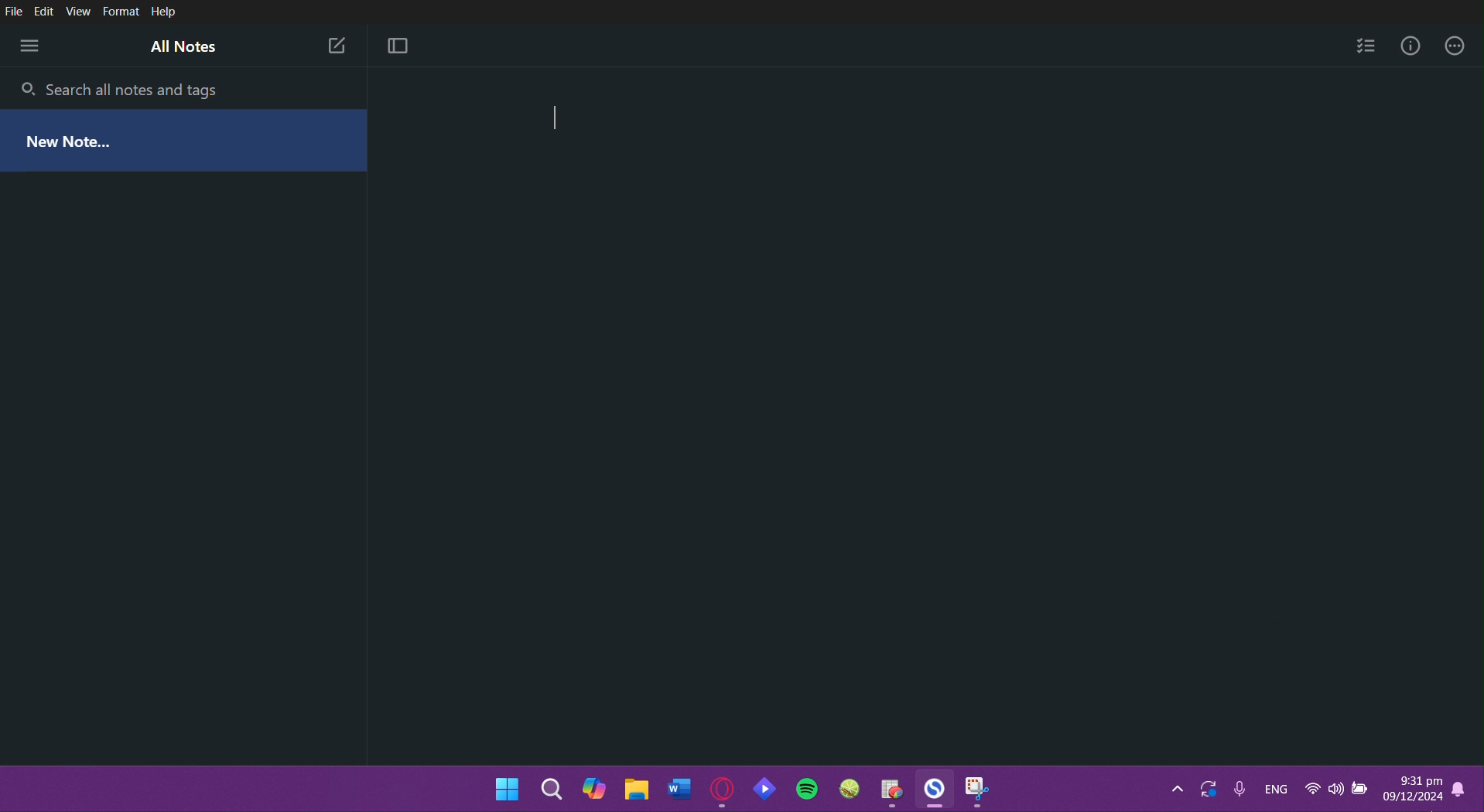  Describe the element at coordinates (642, 790) in the screenshot. I see `file explorer` at that location.